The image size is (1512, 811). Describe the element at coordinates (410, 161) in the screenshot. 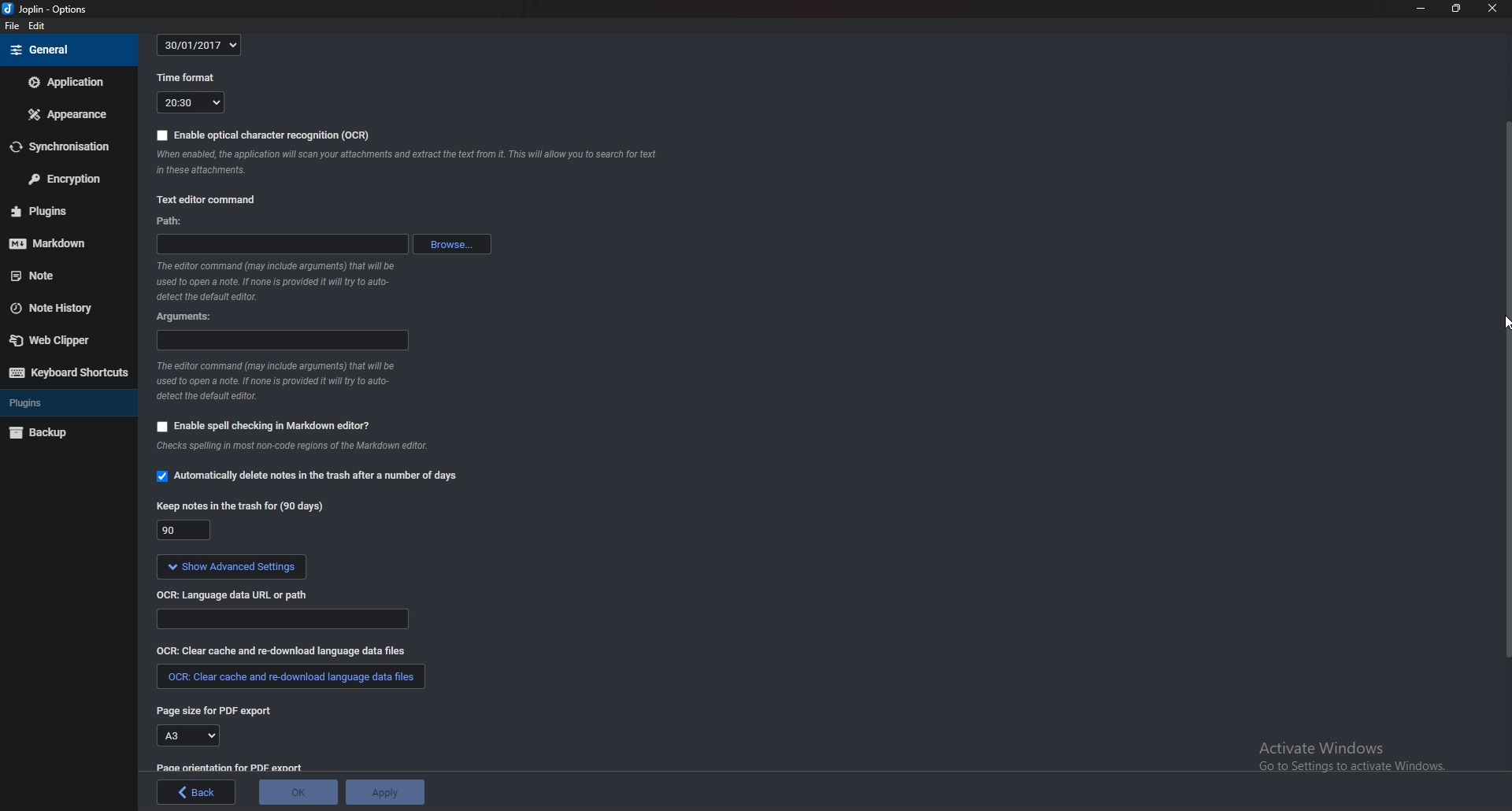

I see `Info` at that location.